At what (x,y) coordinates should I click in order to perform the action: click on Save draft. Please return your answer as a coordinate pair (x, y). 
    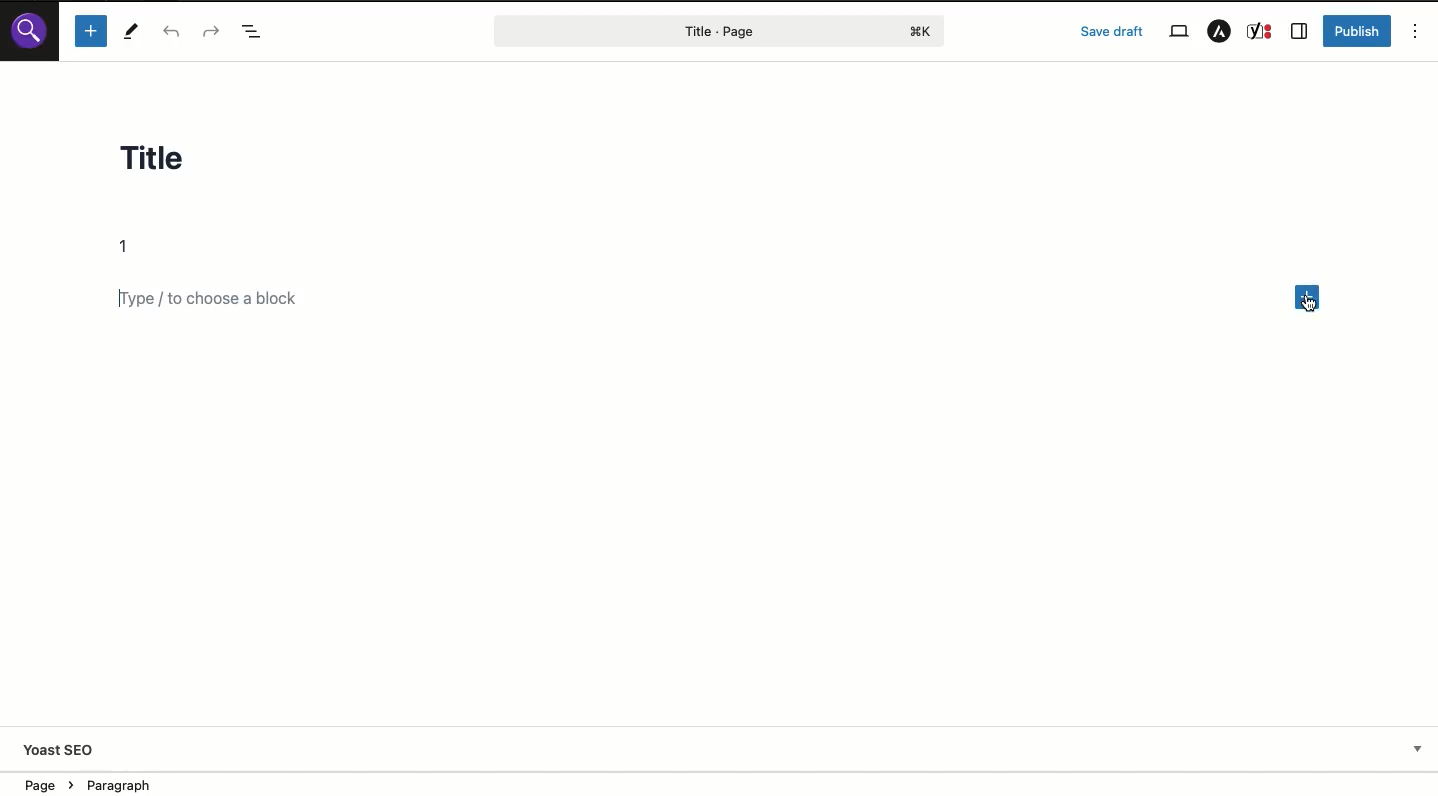
    Looking at the image, I should click on (1112, 31).